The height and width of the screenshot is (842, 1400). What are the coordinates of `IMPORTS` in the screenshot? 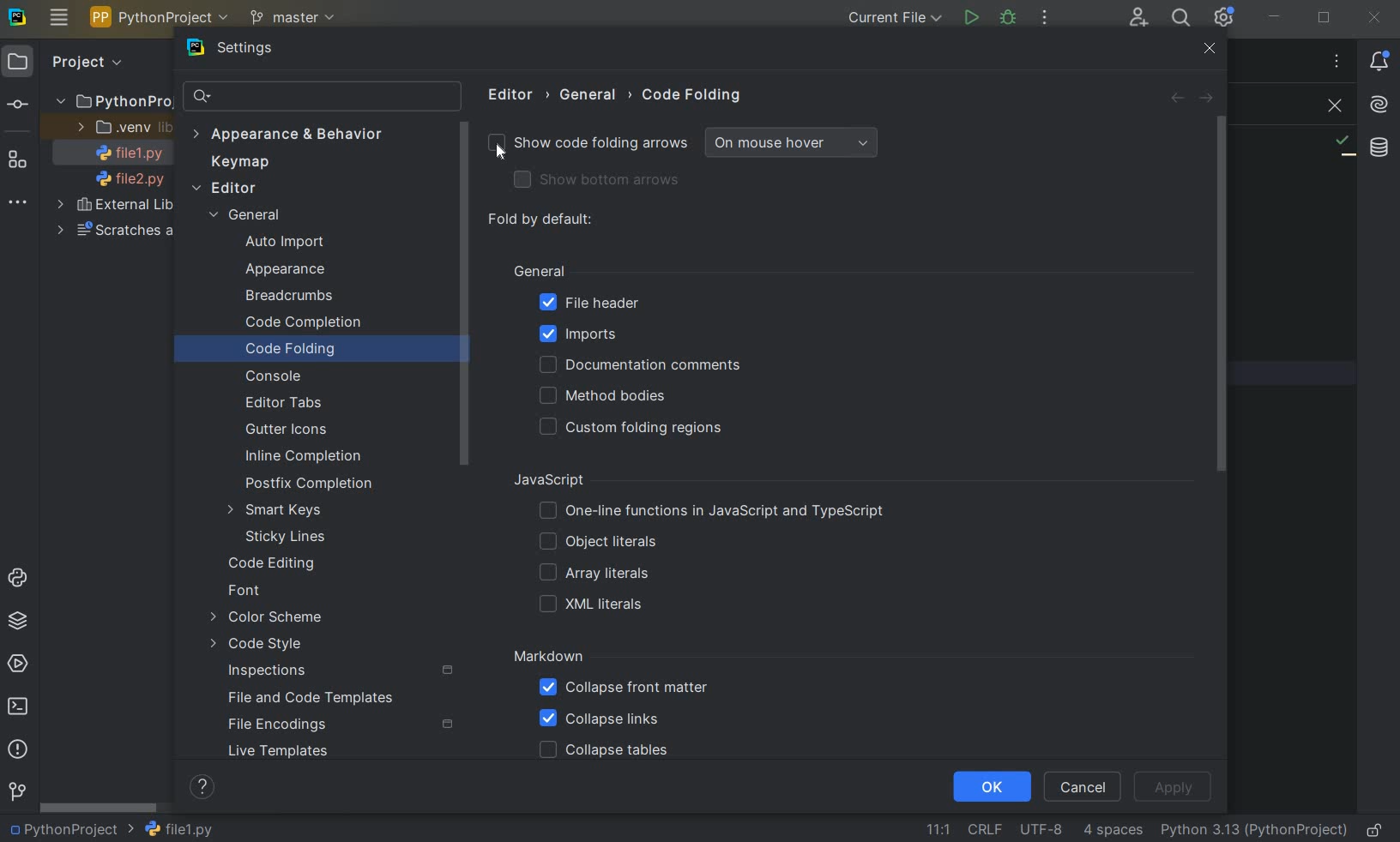 It's located at (604, 334).